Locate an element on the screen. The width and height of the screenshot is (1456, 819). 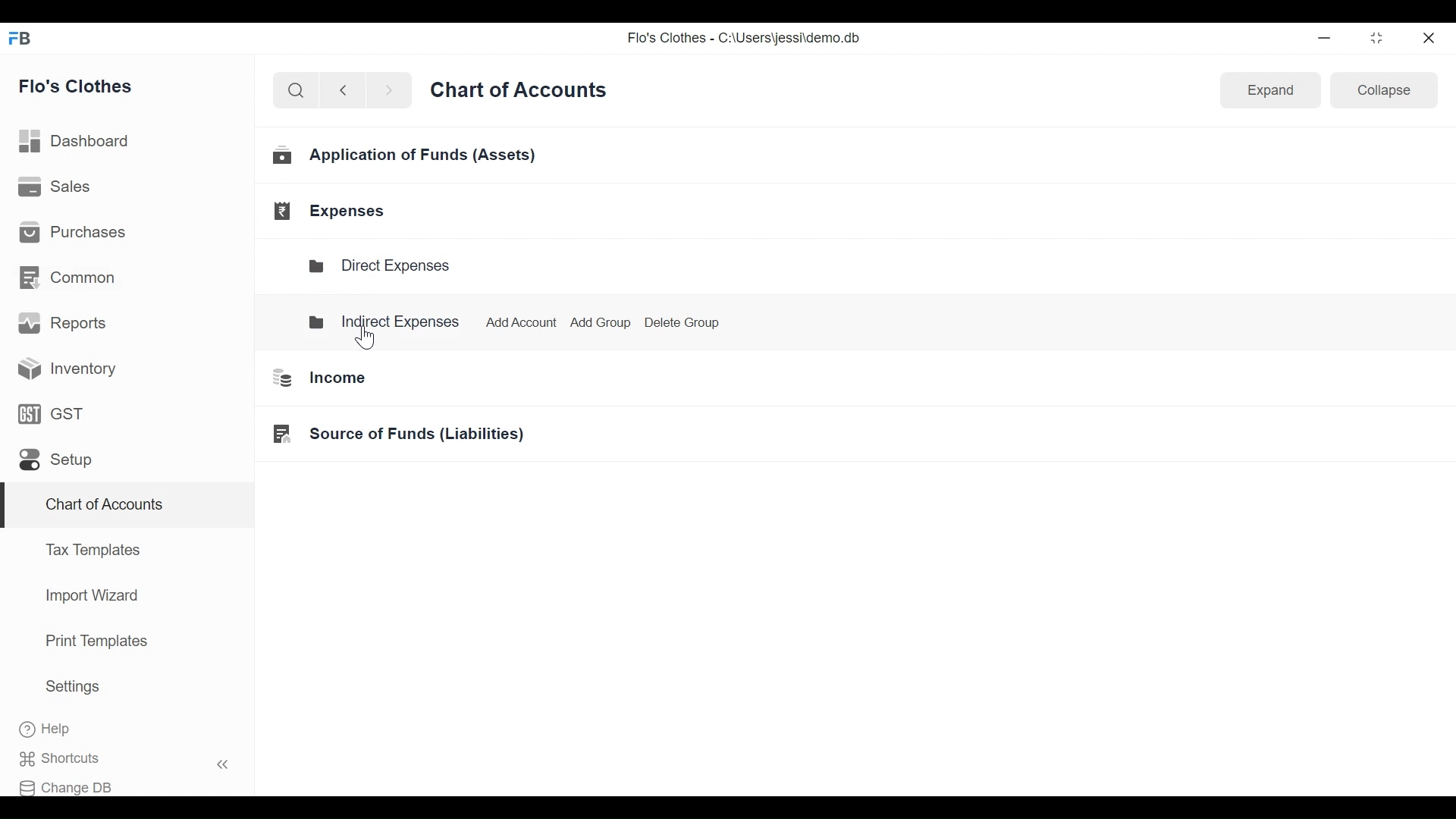
Change DB is located at coordinates (74, 784).